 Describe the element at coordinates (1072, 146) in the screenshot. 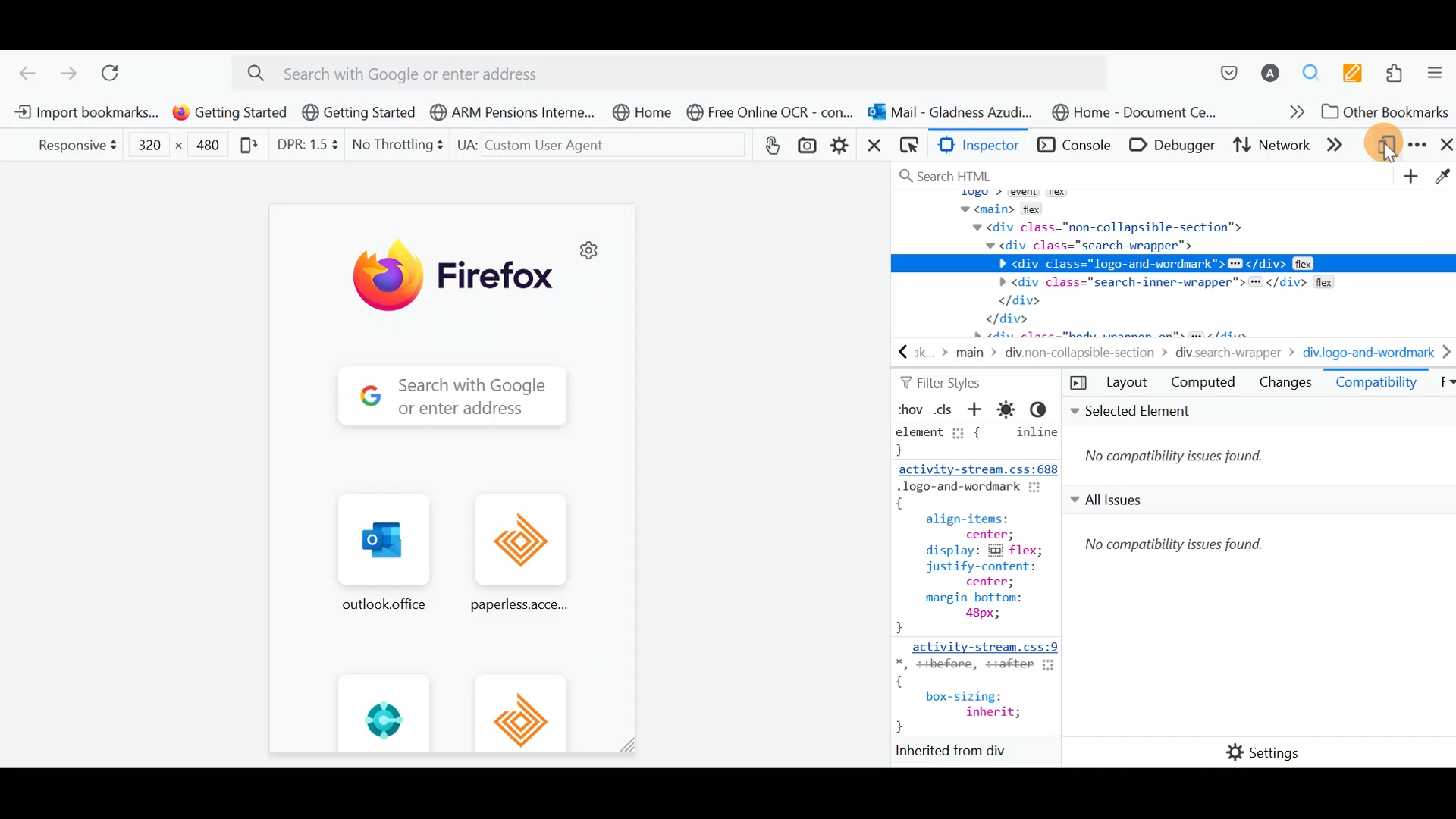

I see `Console` at that location.